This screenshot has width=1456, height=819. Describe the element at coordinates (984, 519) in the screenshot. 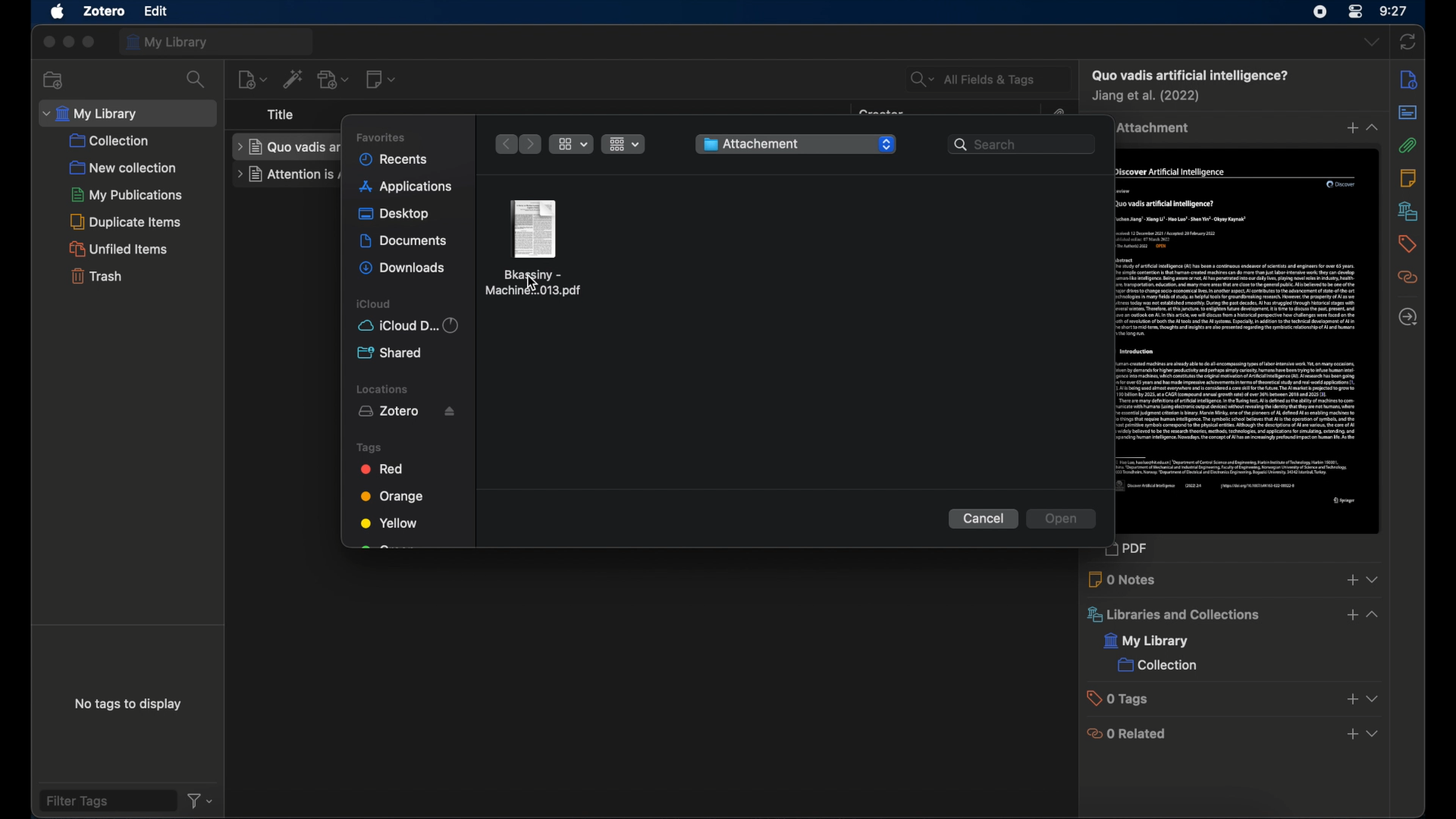

I see `cancel` at that location.